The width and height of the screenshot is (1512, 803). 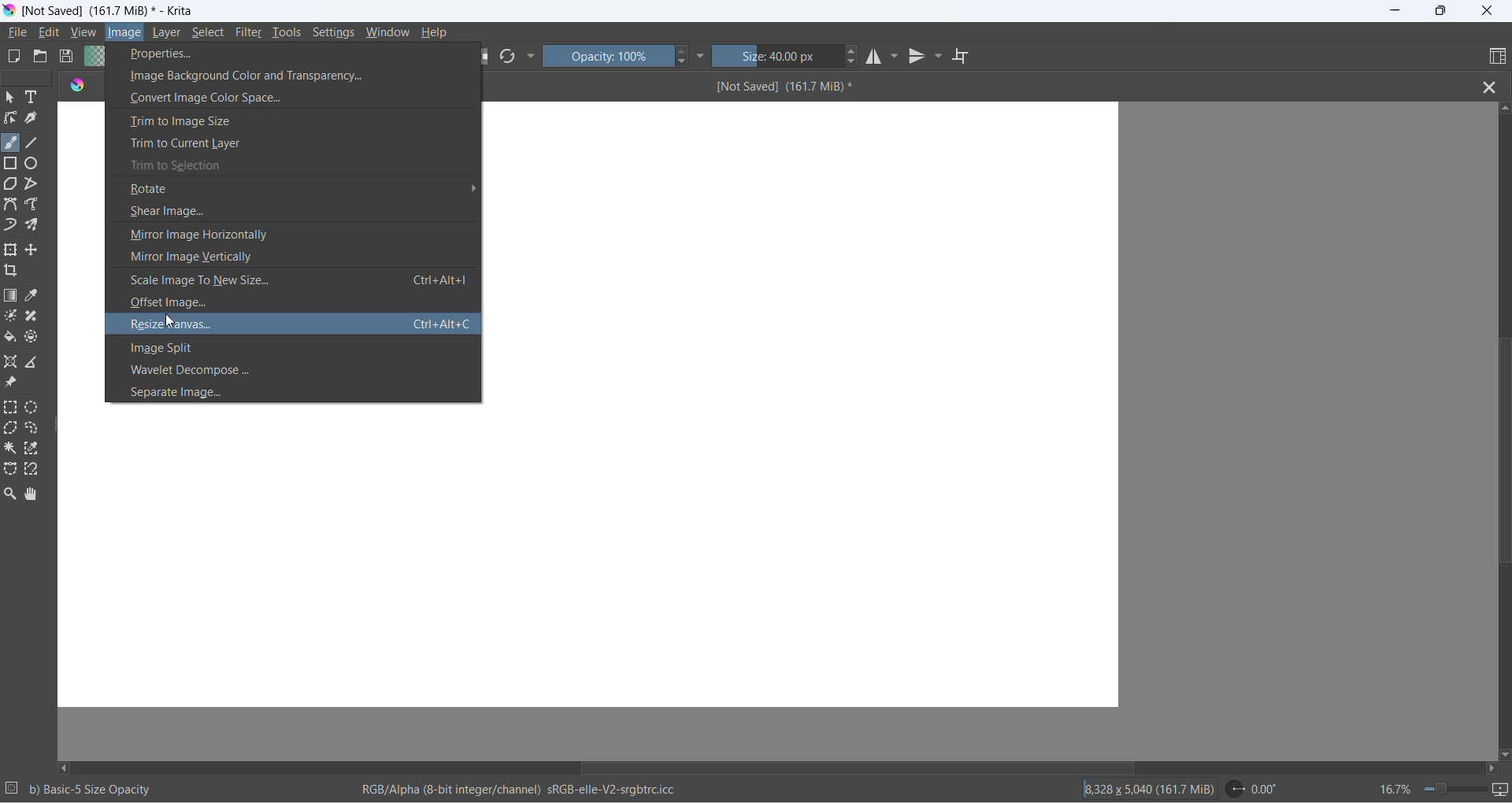 I want to click on more settings dropdown button, so click(x=702, y=56).